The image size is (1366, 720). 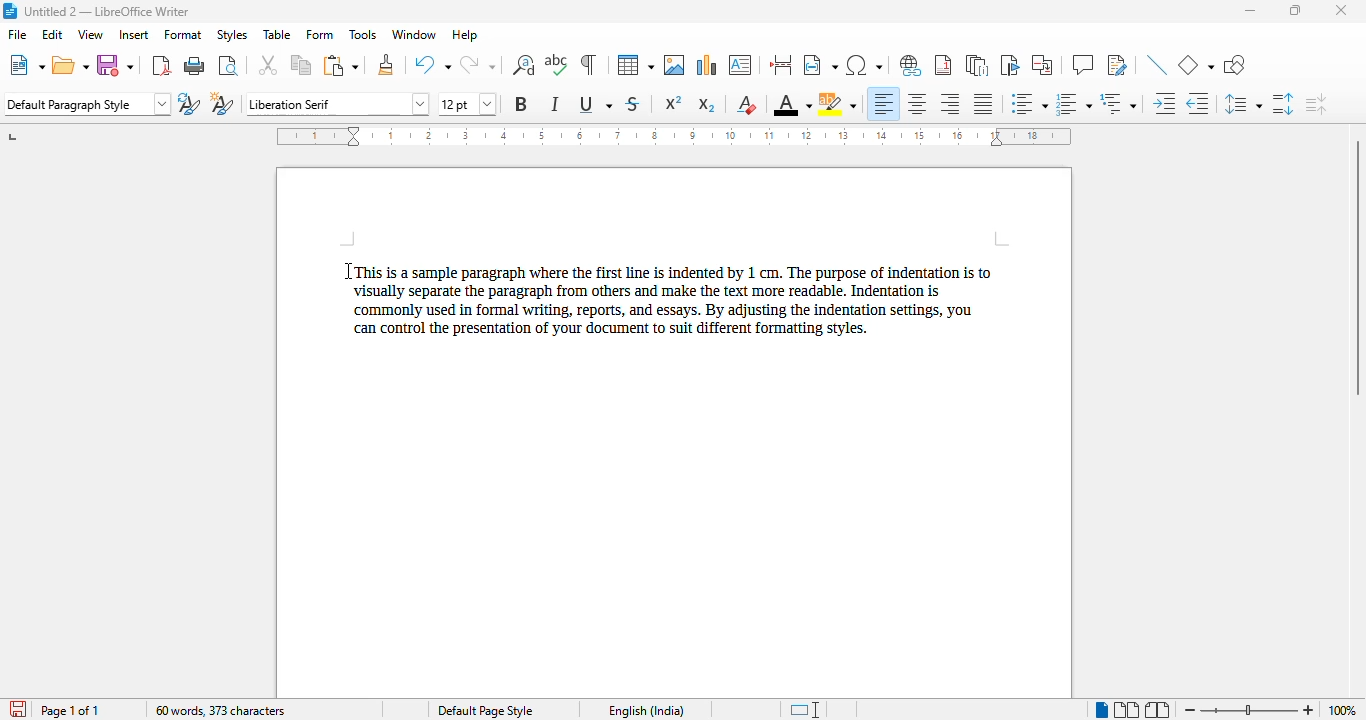 I want to click on maximize, so click(x=1296, y=11).